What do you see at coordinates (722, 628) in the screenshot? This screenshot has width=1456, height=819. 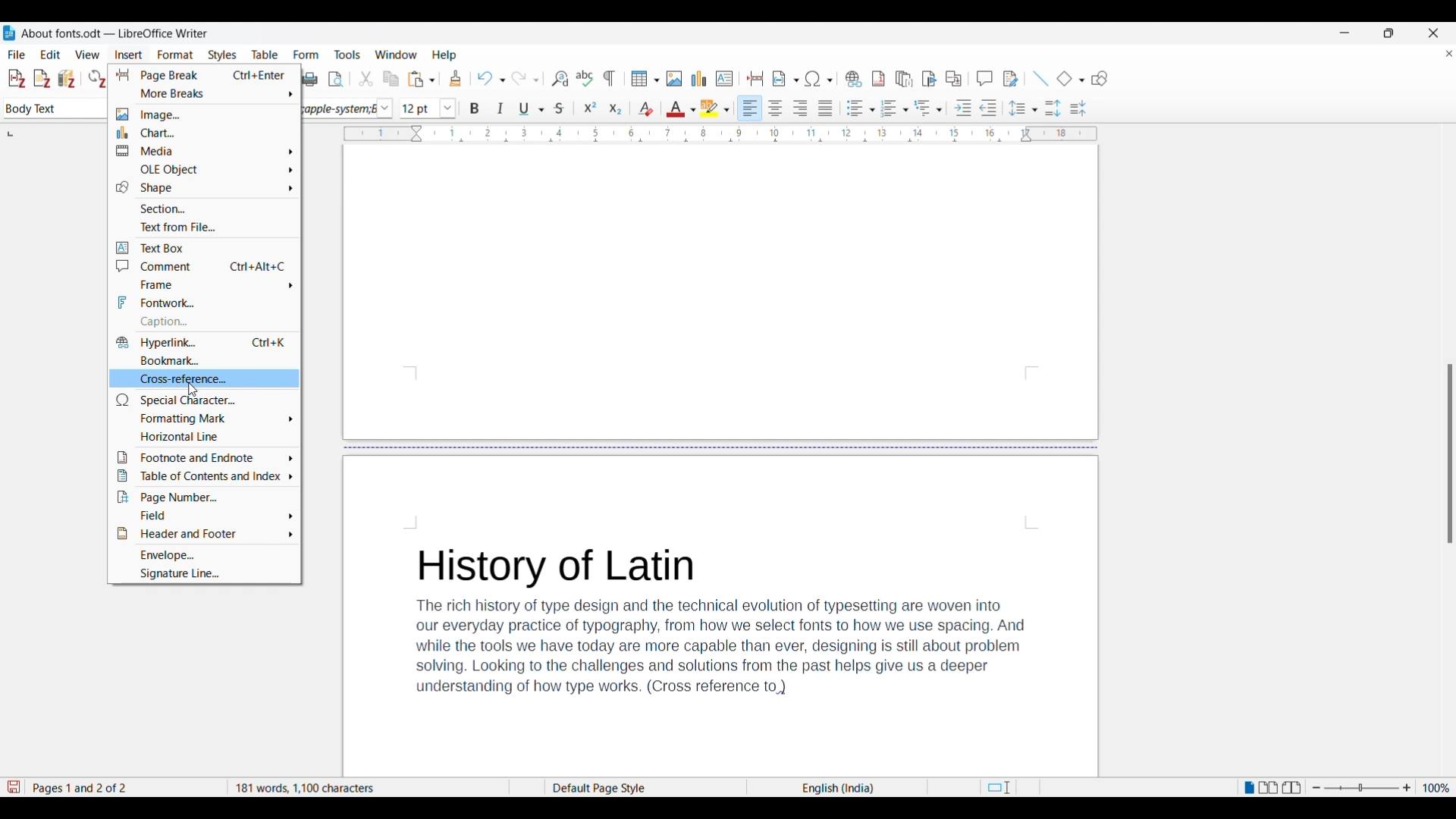 I see `History of LatinThe rich history of type design and the technical evolution of typesetting are woven intoour everyday practice of typography, from how we select fonts to how we use spacing. Andwhile the tools we have today are more capable than ever, designing is still about problemsolving. Looking to the challenges and solutions from the past helps give us a deeperunderstanding of how type works. (Cross reference )` at bounding box center [722, 628].